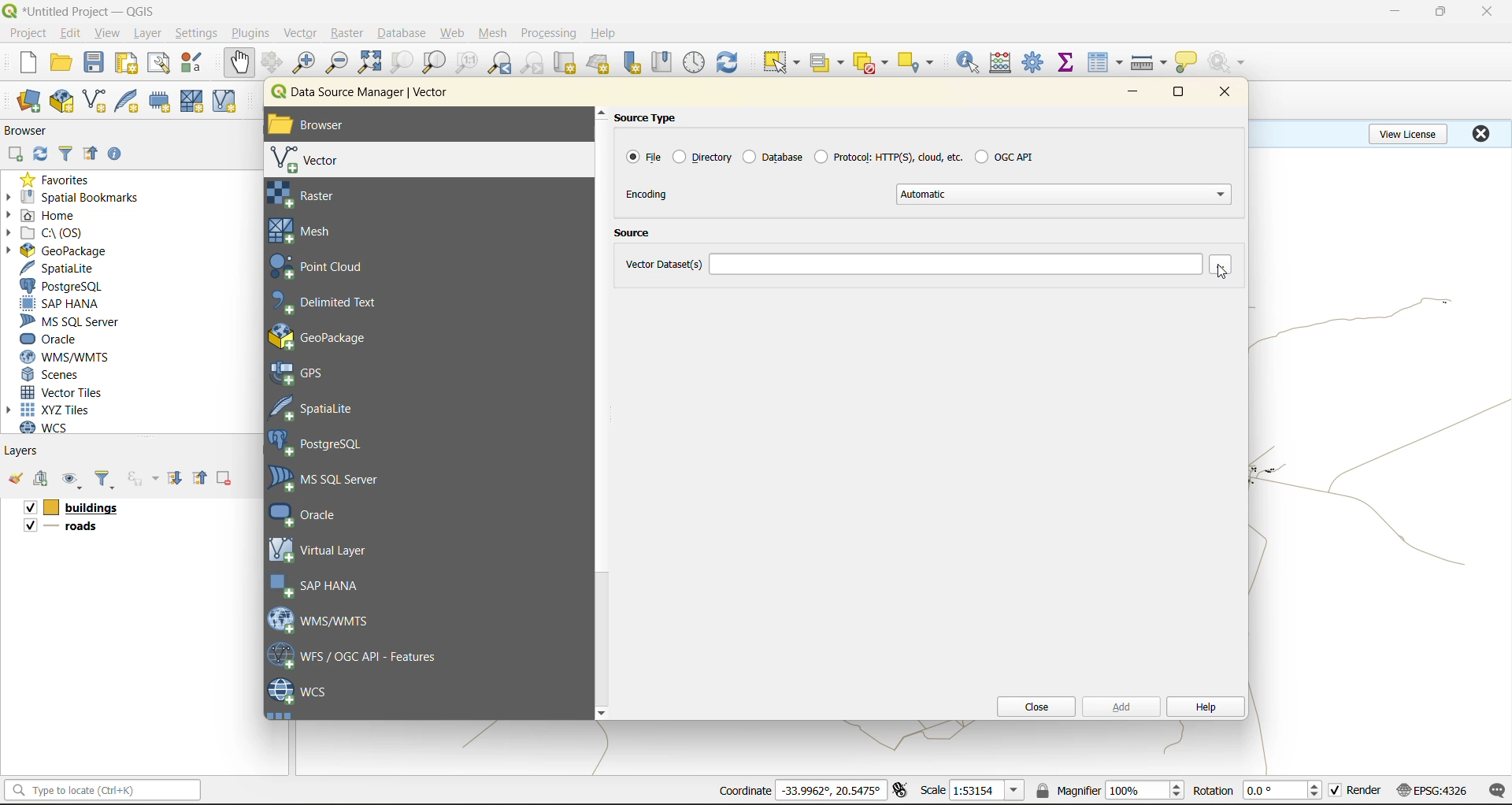 The image size is (1512, 805). What do you see at coordinates (638, 235) in the screenshot?
I see `source` at bounding box center [638, 235].